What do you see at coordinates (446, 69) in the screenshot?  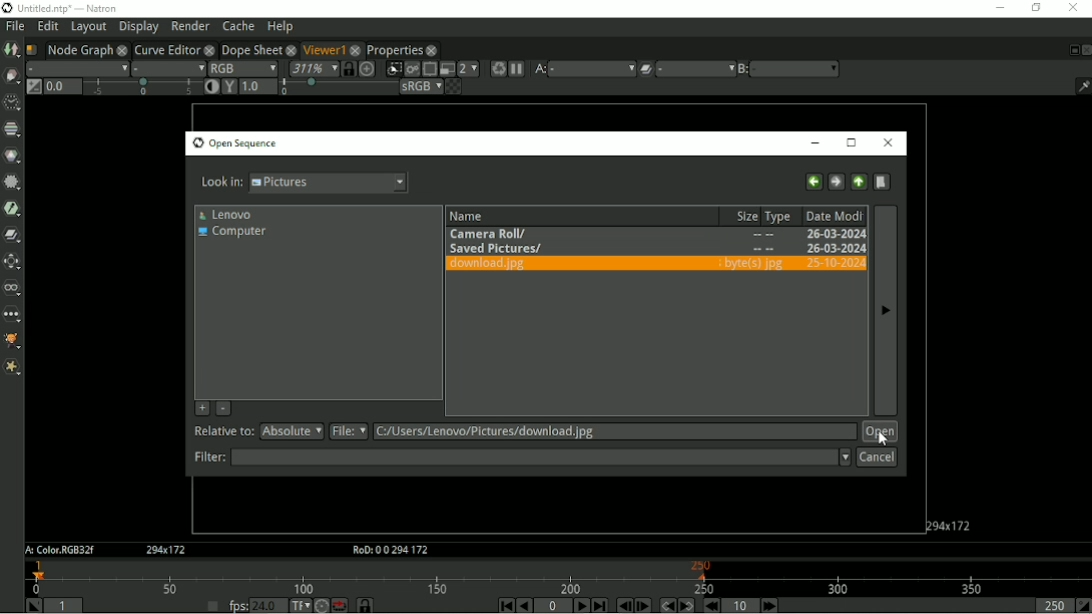 I see `Proxy mode` at bounding box center [446, 69].